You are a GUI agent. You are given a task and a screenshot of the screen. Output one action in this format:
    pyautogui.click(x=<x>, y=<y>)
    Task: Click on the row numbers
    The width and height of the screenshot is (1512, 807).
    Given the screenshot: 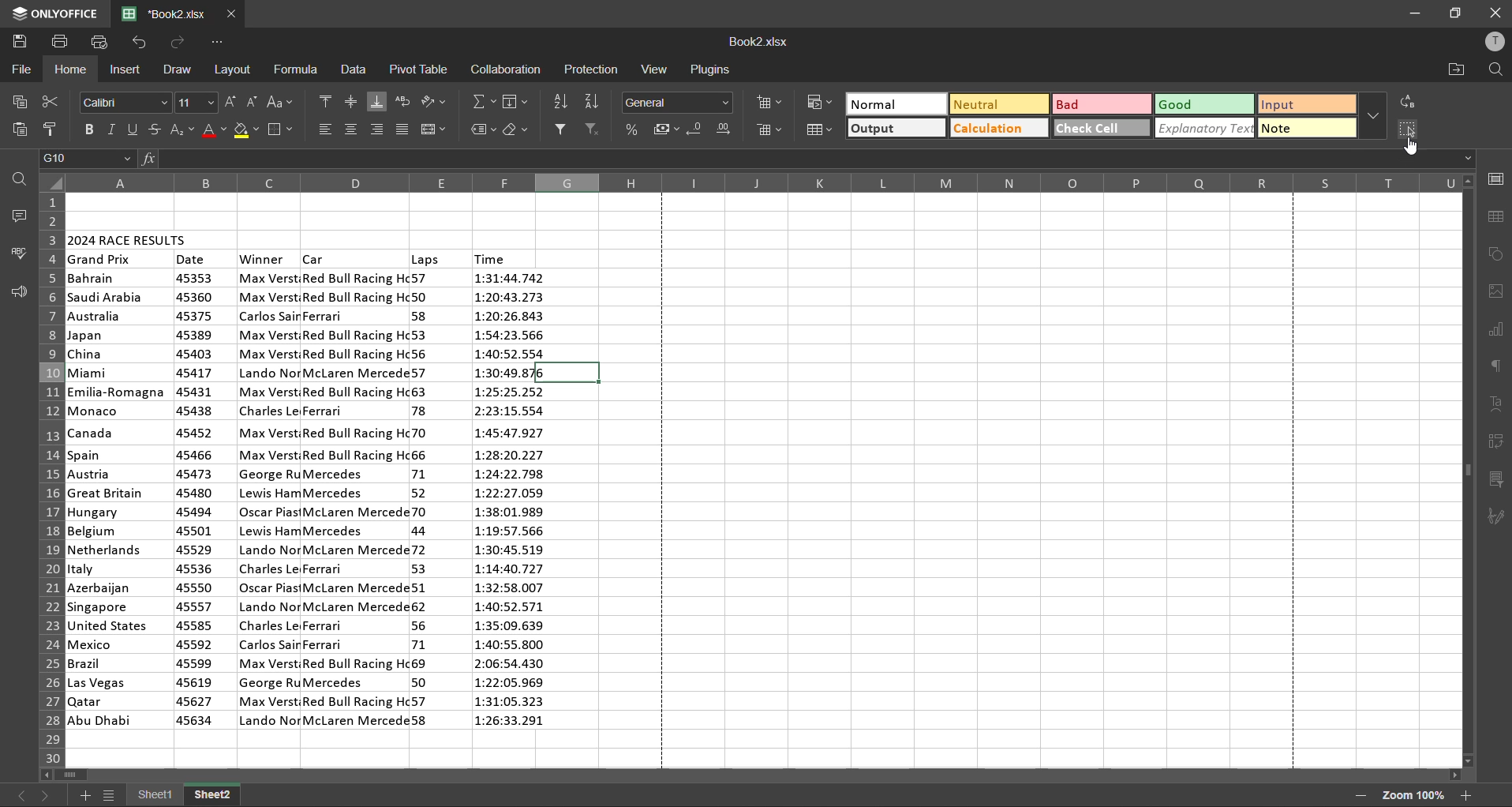 What is the action you would take?
    pyautogui.click(x=52, y=477)
    